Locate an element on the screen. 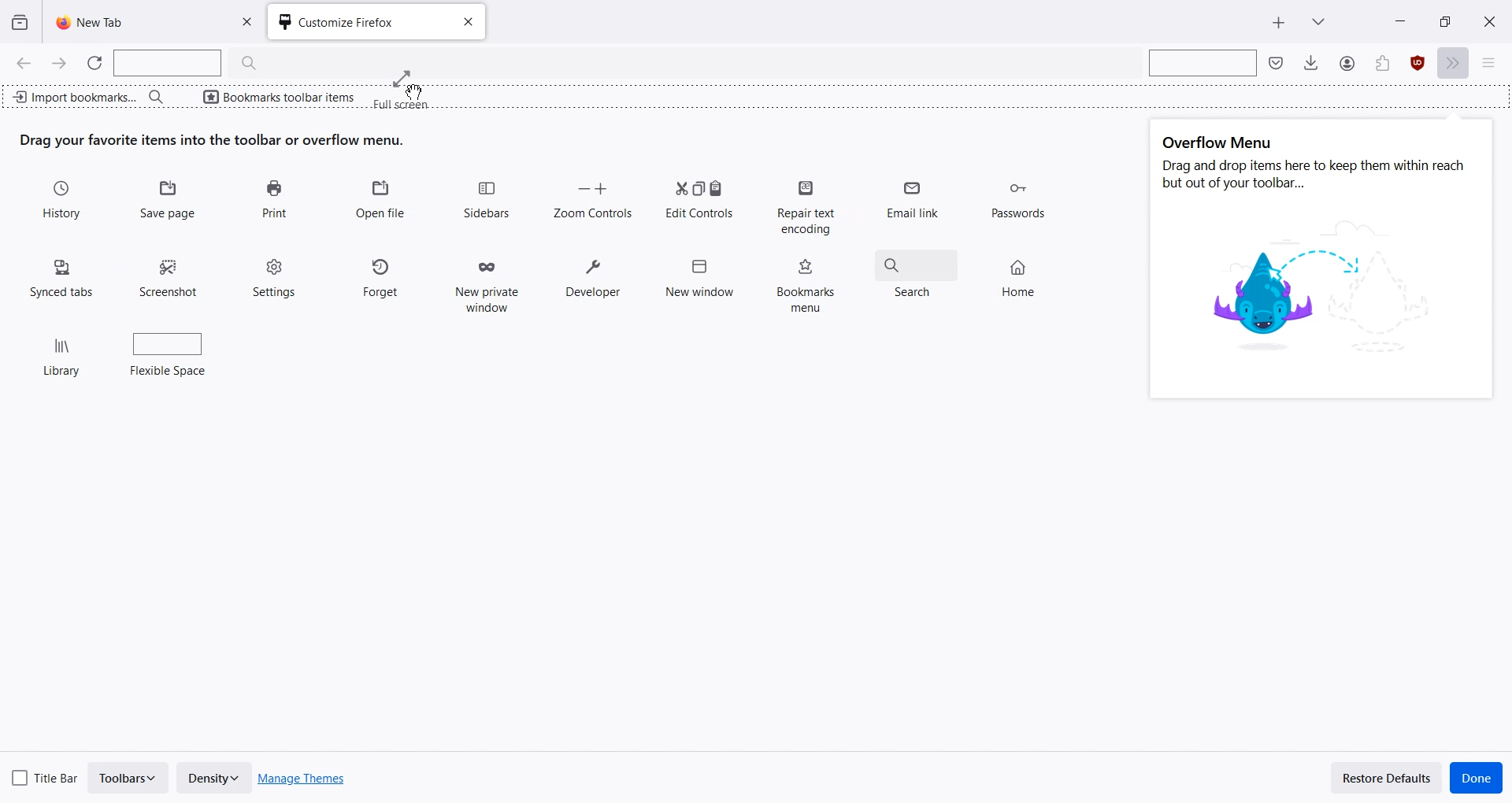  Refresh is located at coordinates (95, 63).